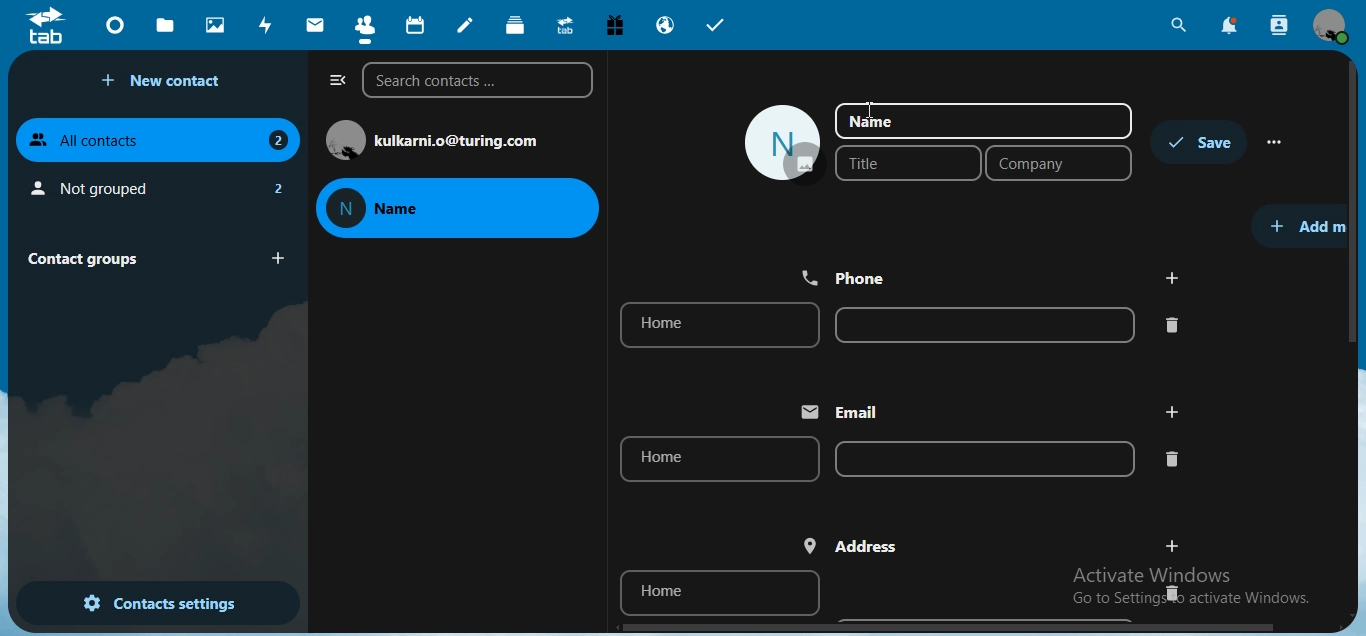  What do you see at coordinates (1202, 142) in the screenshot?
I see `save` at bounding box center [1202, 142].